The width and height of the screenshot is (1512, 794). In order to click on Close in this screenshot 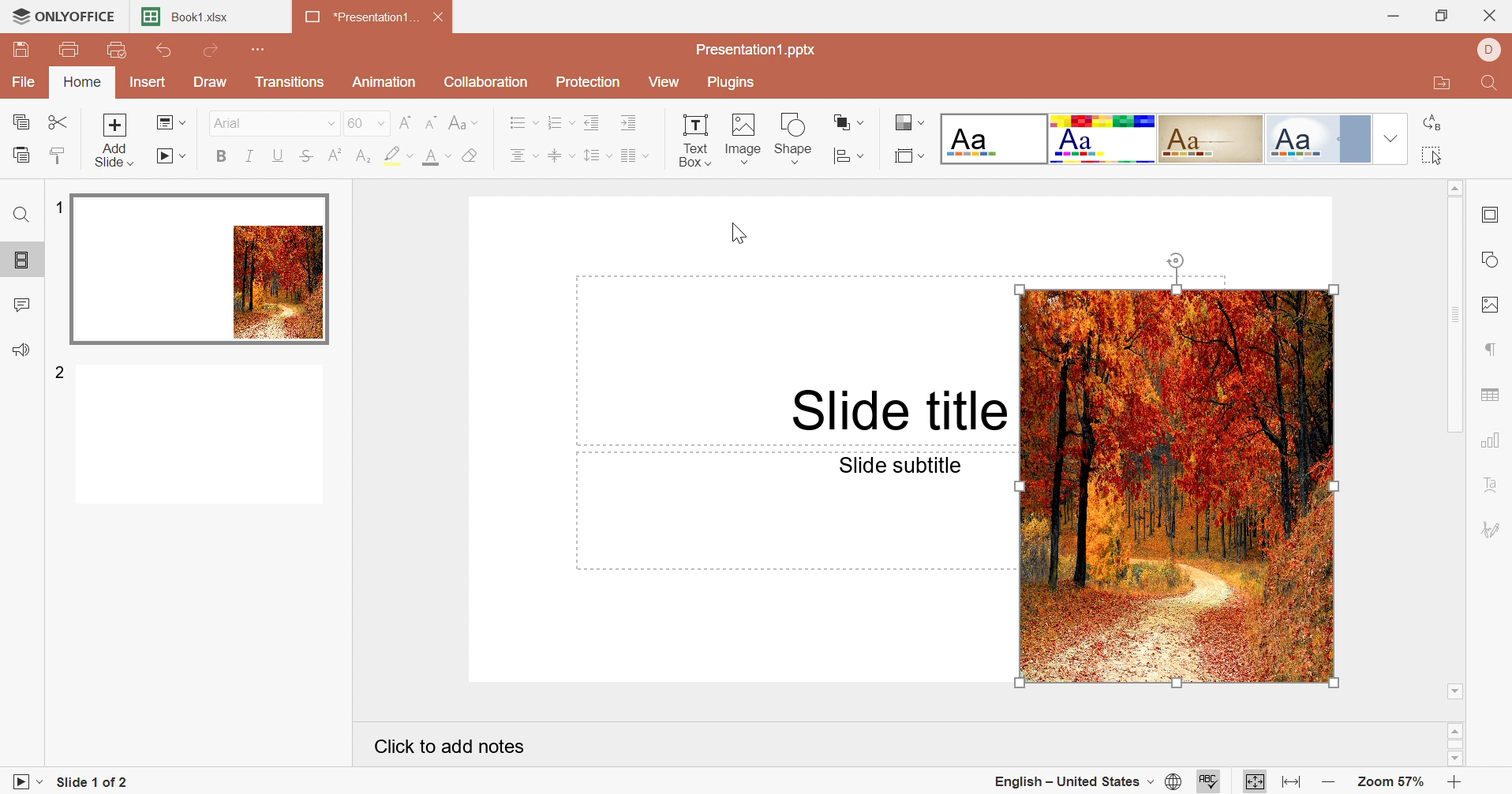, I will do `click(1489, 15)`.